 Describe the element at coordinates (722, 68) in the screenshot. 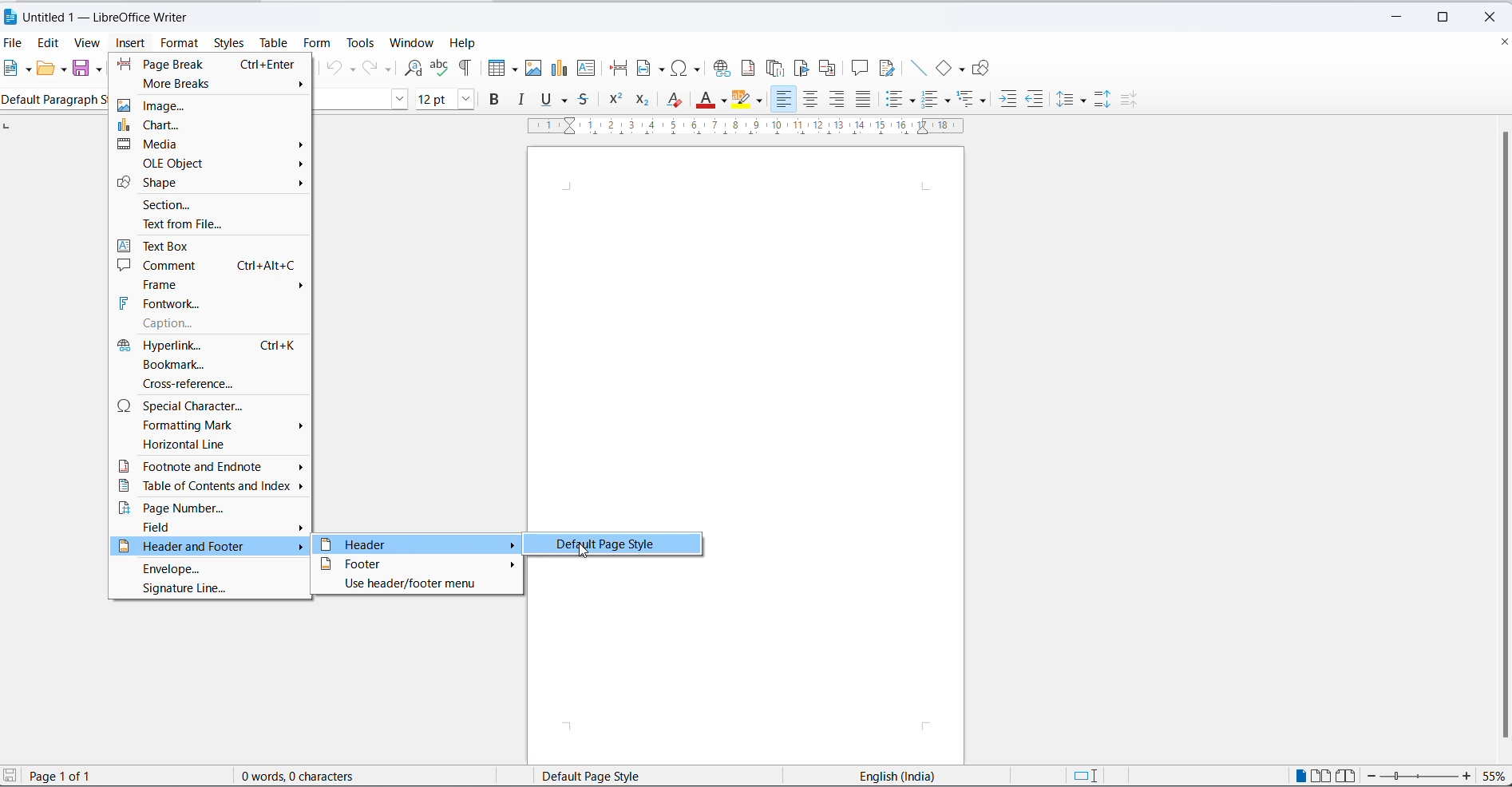

I see `insert hyperlink` at that location.